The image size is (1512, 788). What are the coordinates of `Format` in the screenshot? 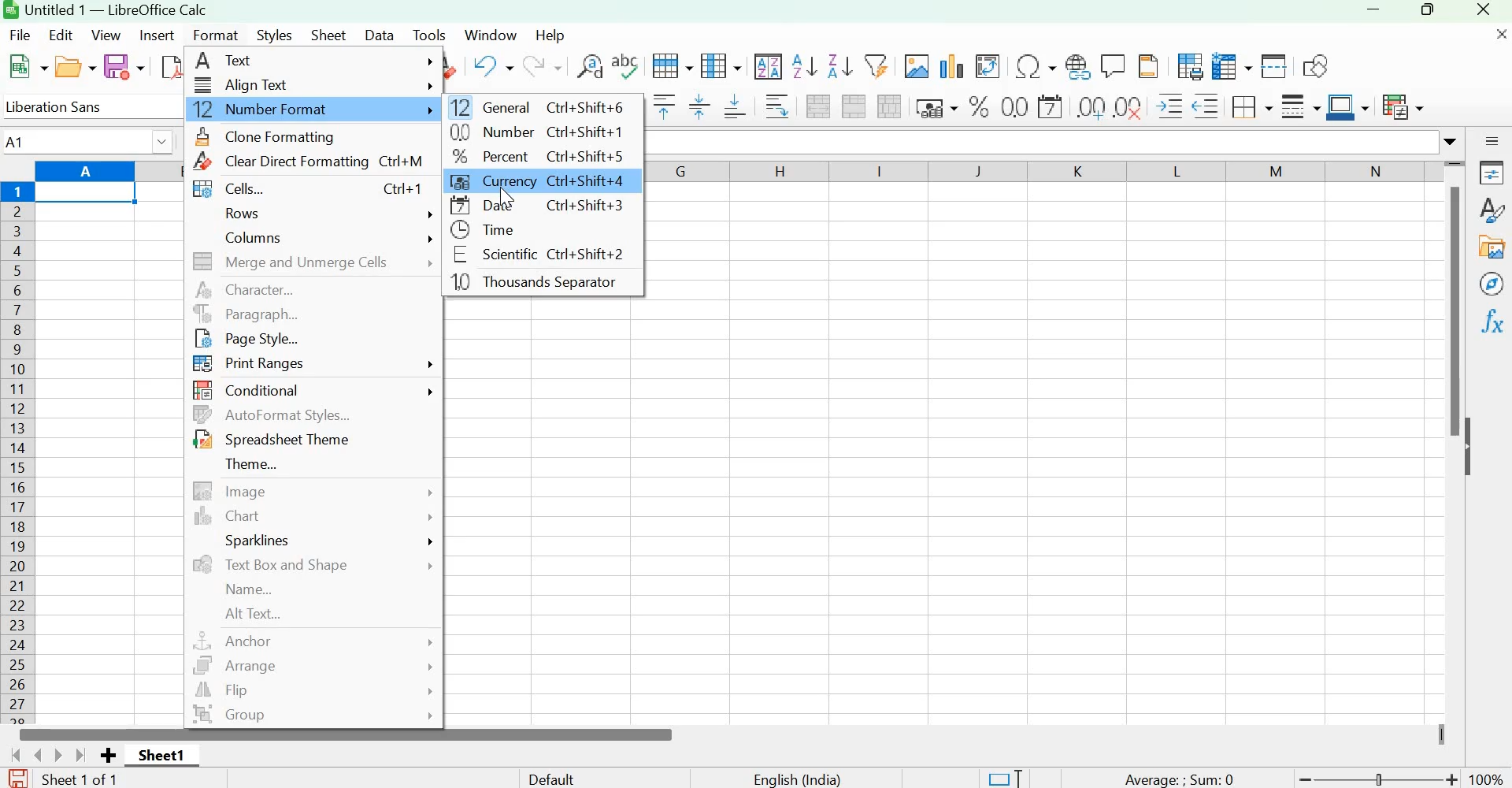 It's located at (217, 34).